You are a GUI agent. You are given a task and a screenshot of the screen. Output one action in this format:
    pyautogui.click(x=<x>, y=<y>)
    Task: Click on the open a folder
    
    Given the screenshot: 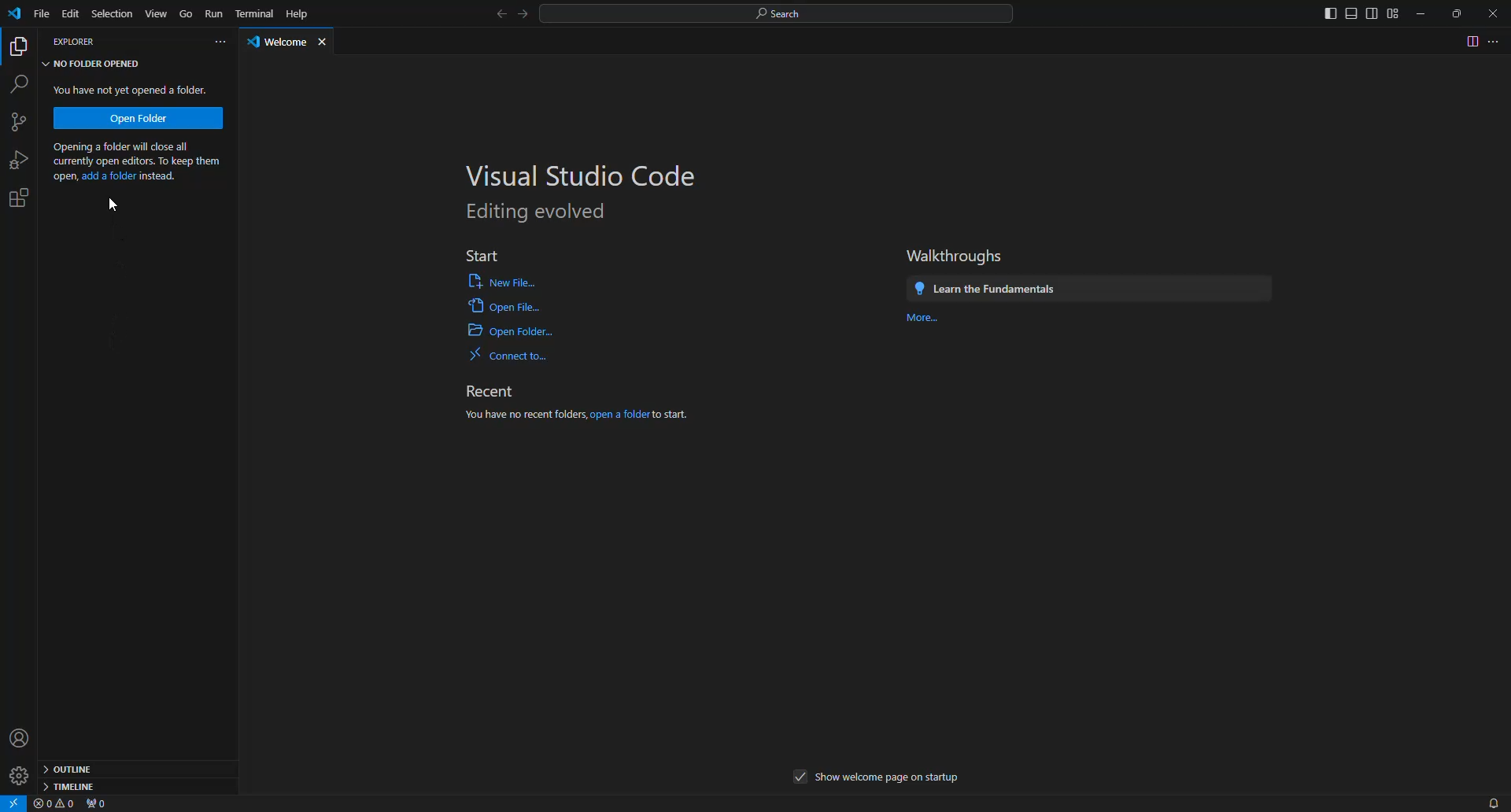 What is the action you would take?
    pyautogui.click(x=619, y=415)
    